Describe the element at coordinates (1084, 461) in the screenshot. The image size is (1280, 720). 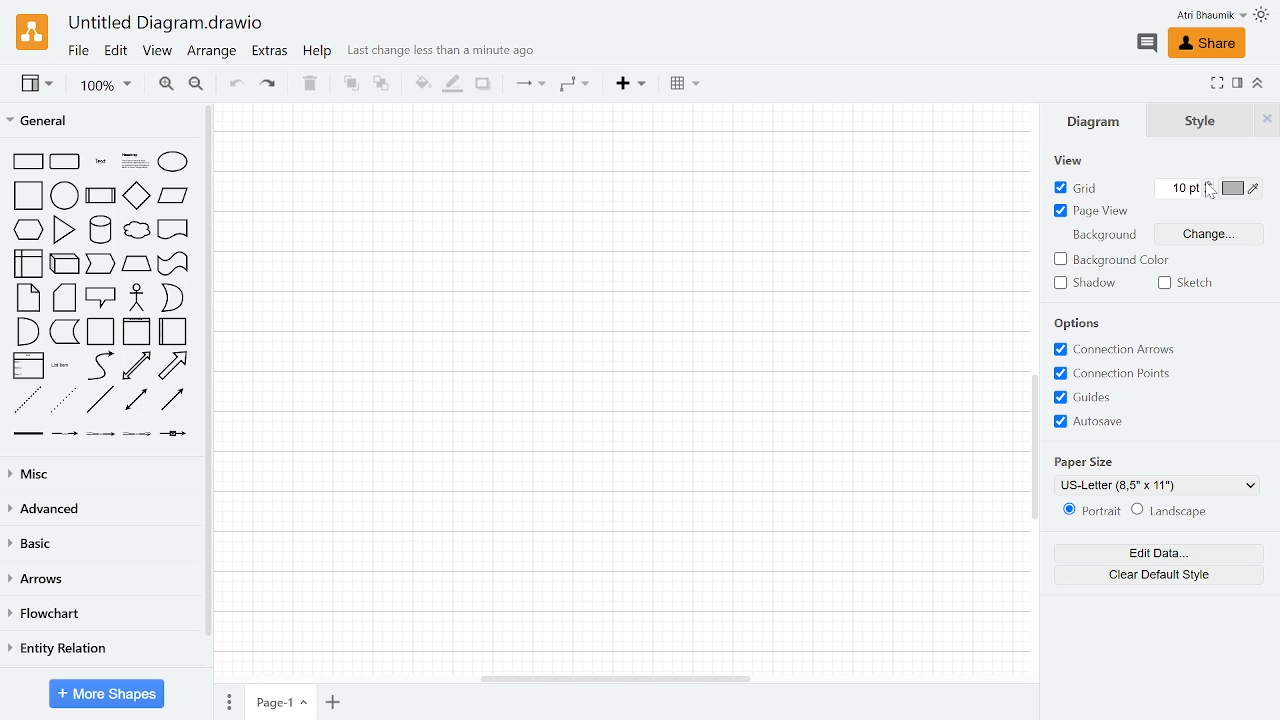
I see `Paper Size` at that location.